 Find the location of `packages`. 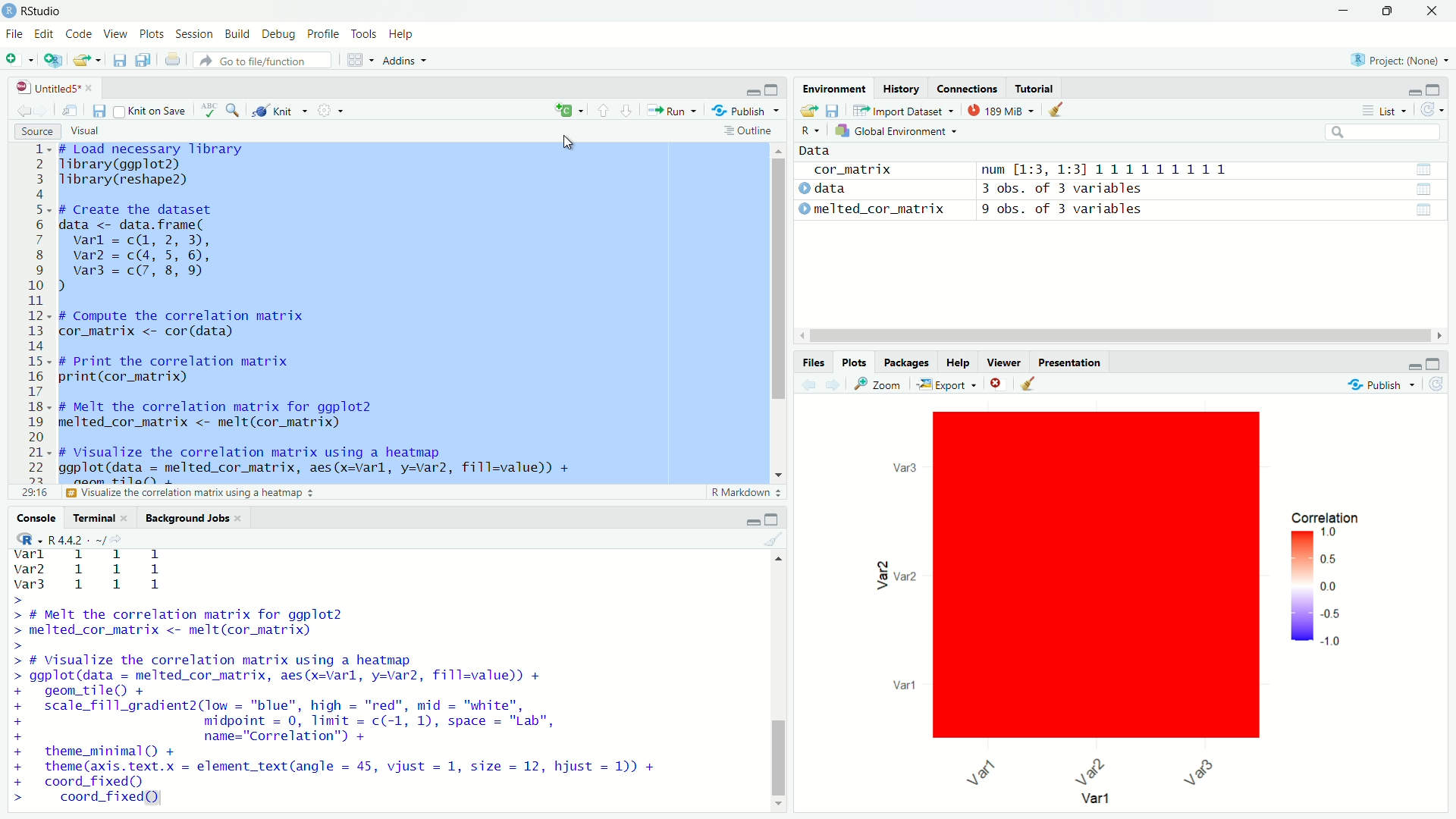

packages is located at coordinates (904, 362).